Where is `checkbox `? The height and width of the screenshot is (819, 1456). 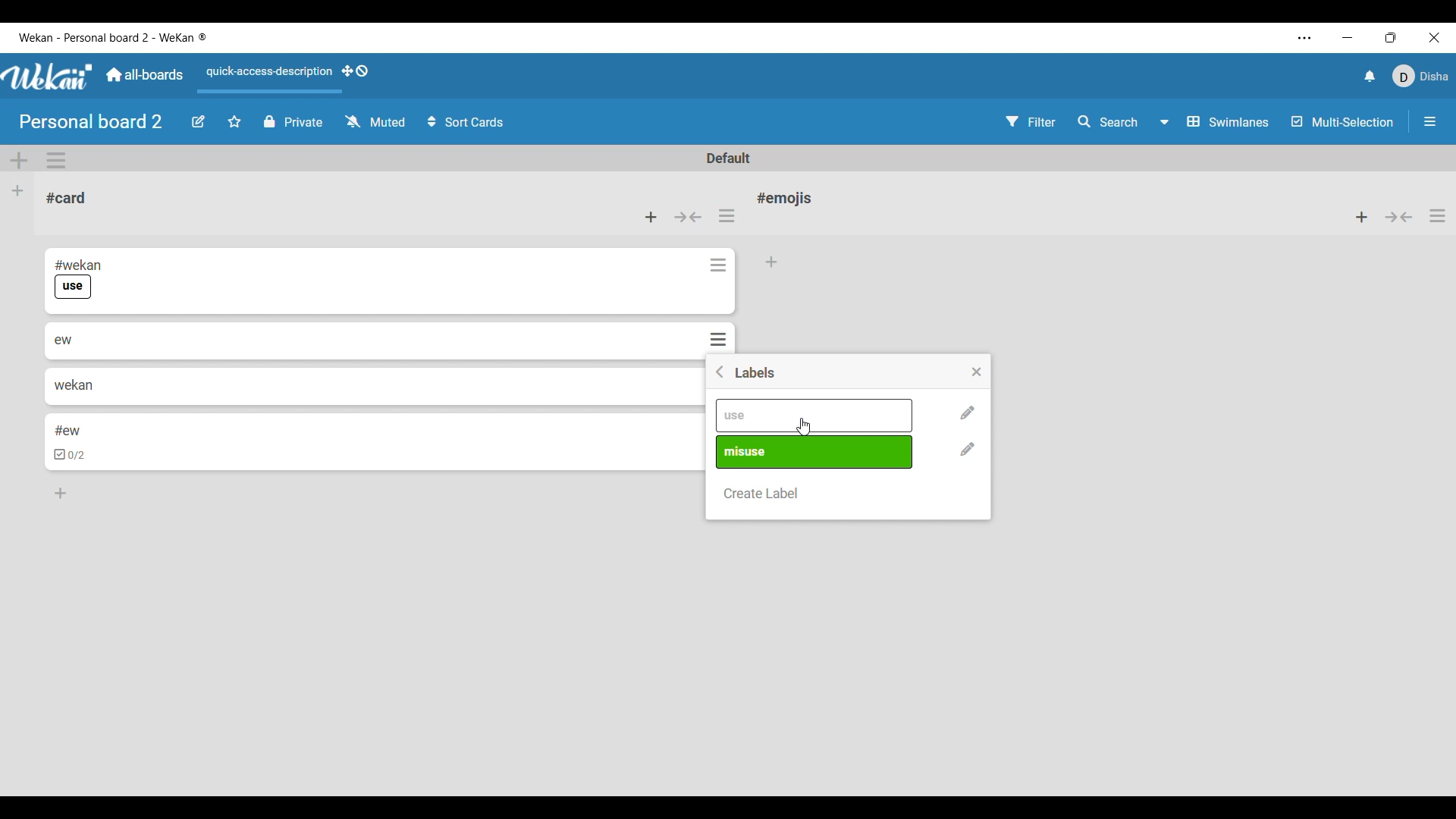
checkbox  is located at coordinates (71, 455).